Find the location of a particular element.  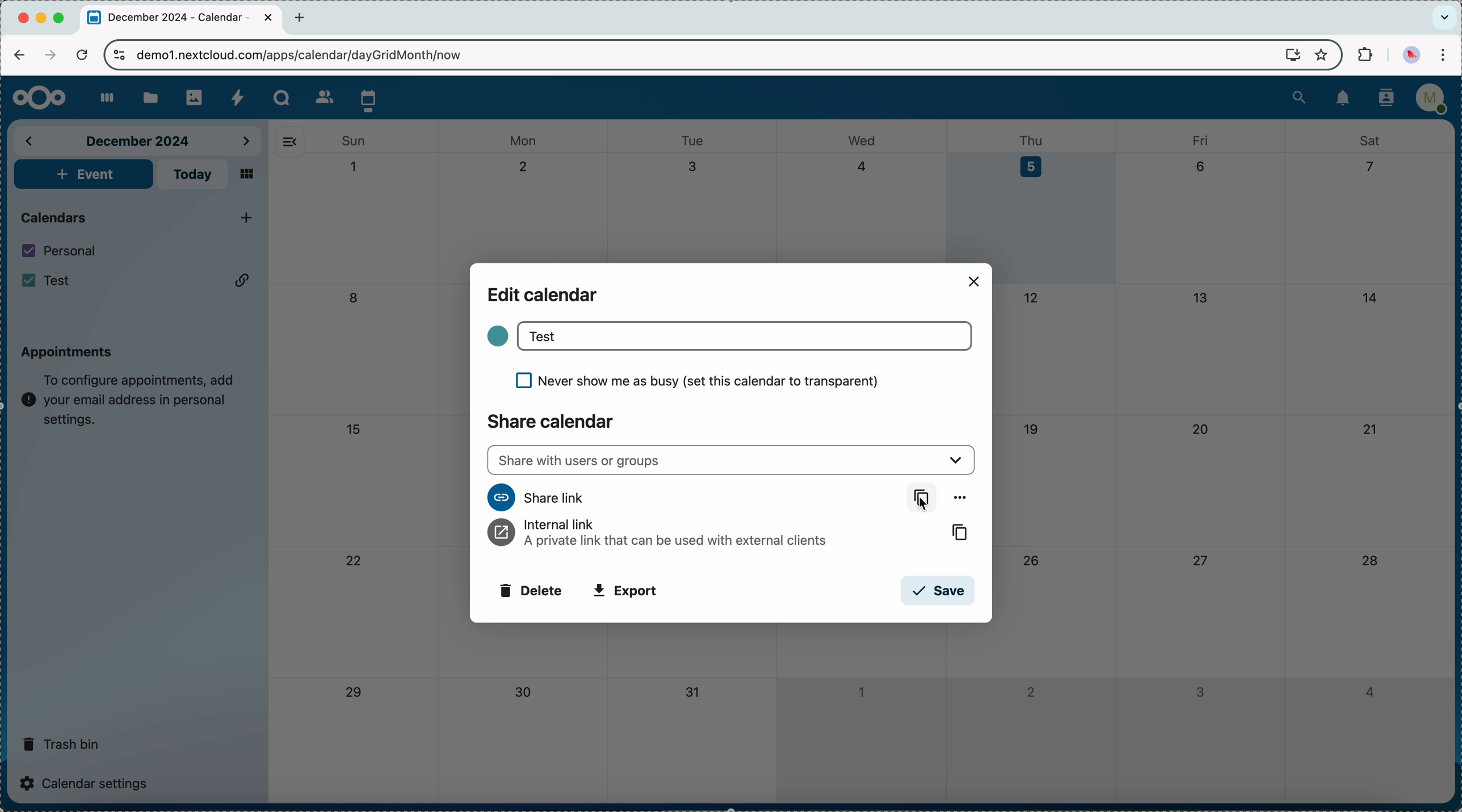

search is located at coordinates (1299, 96).